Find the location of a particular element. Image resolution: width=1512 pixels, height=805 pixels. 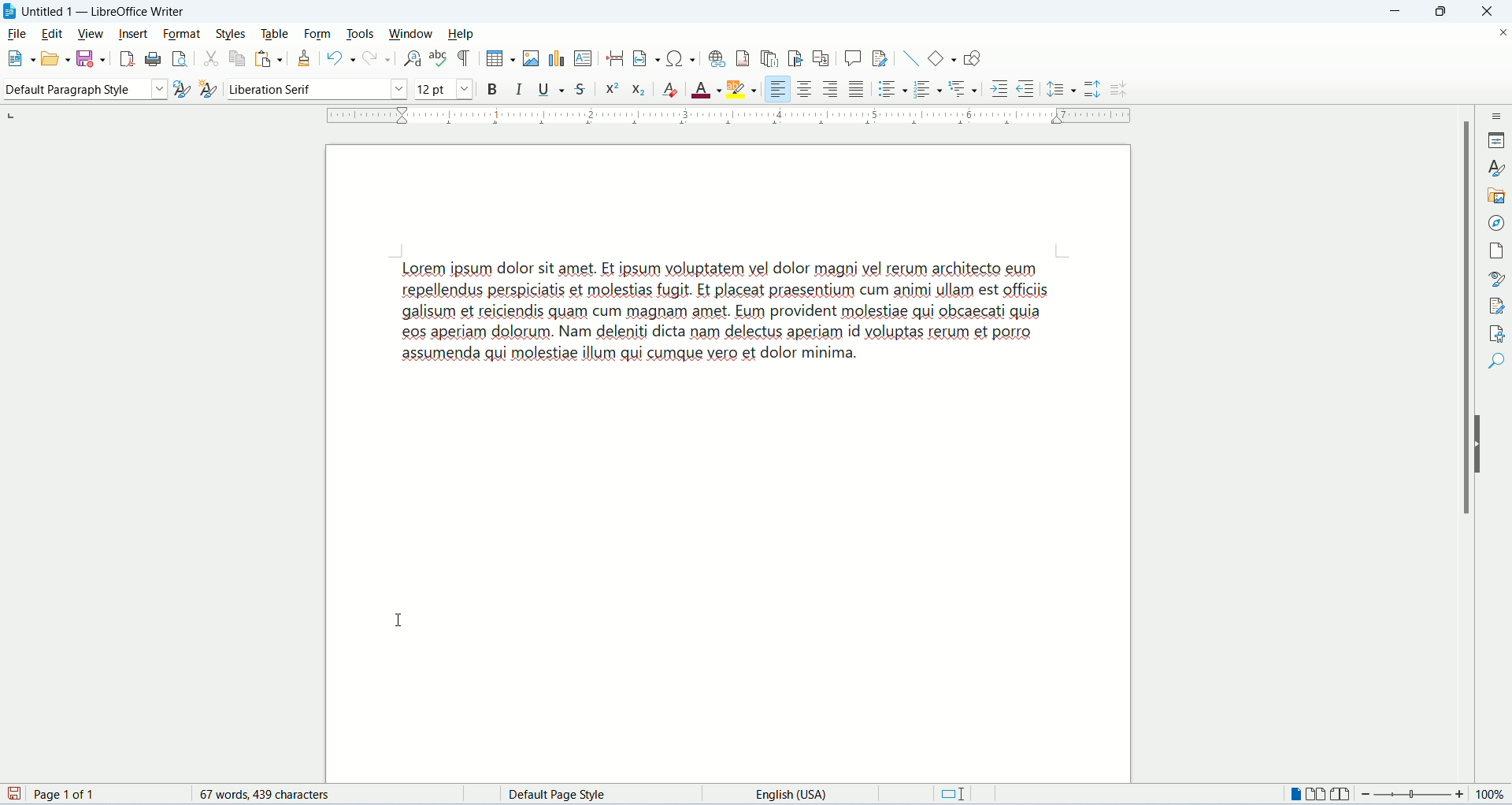

multiple page view is located at coordinates (1315, 796).